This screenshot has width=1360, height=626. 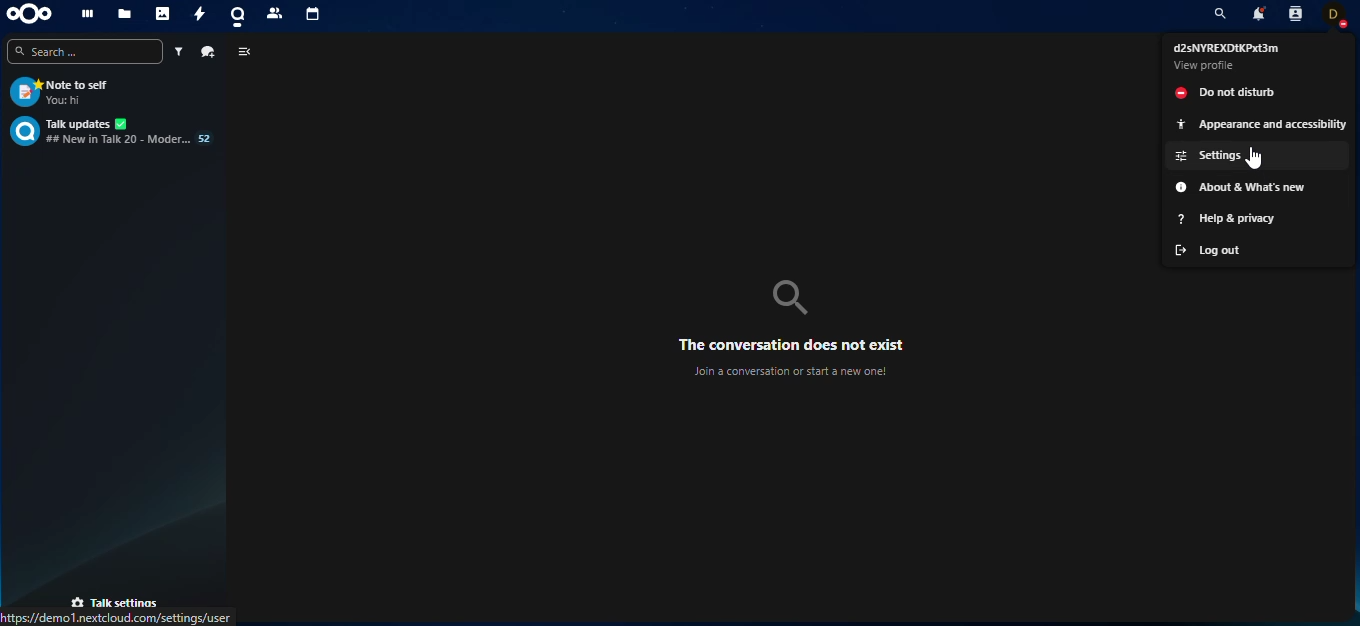 I want to click on do not disturb, so click(x=1258, y=92).